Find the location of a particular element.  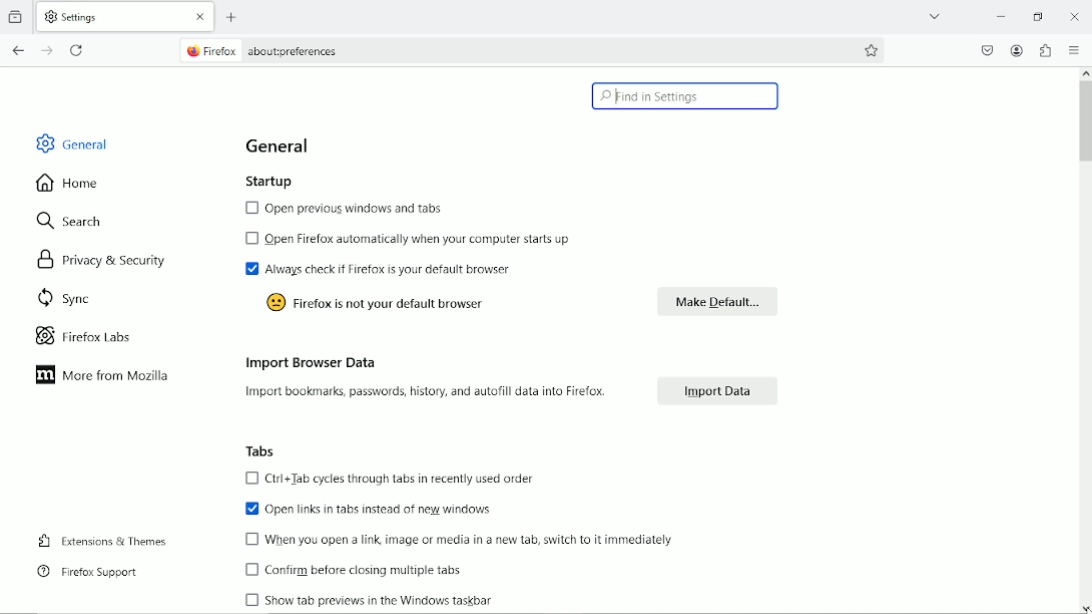

extensions & themes is located at coordinates (102, 542).